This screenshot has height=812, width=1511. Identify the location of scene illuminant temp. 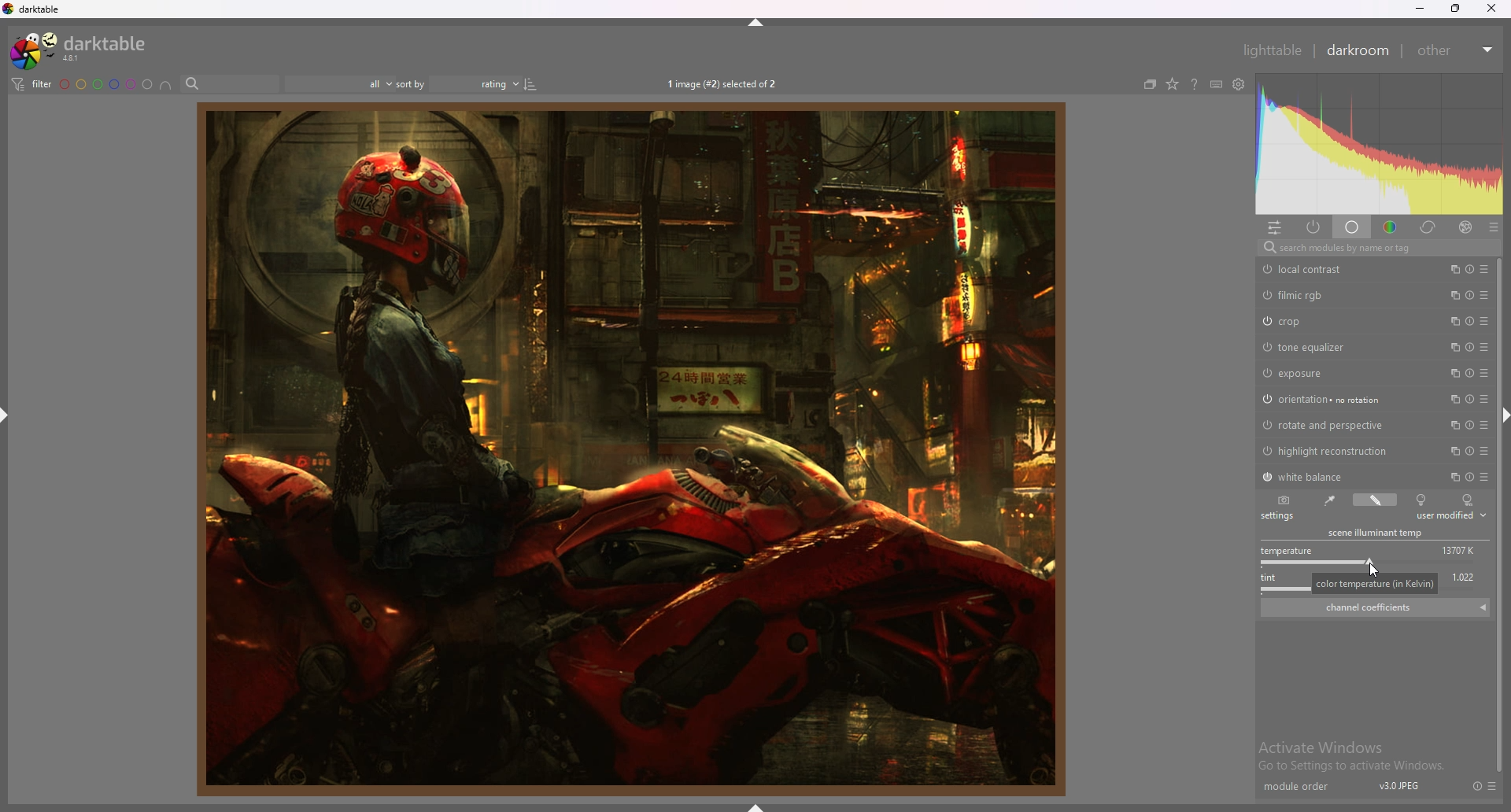
(1376, 533).